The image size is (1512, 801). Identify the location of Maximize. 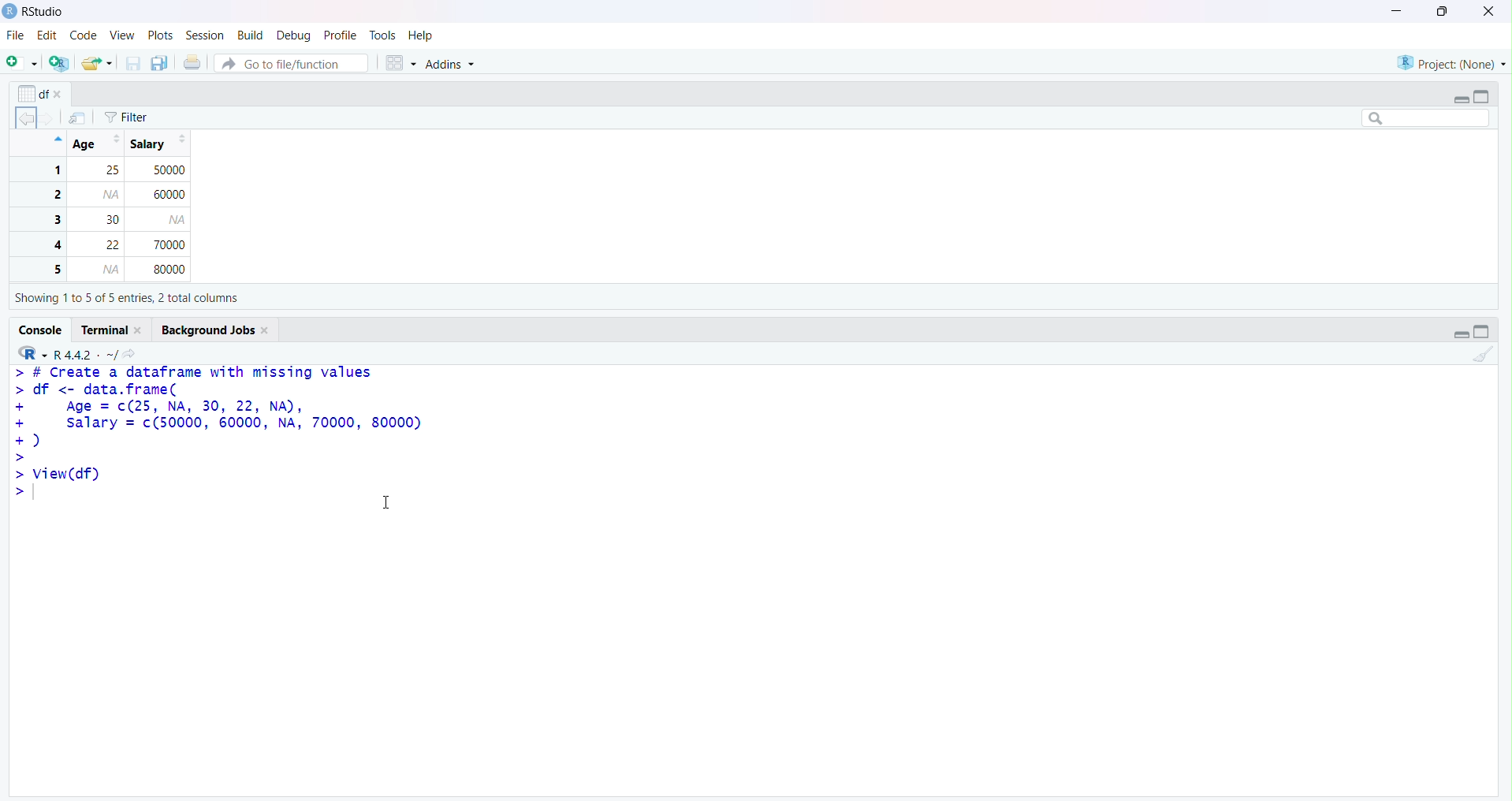
(1445, 12).